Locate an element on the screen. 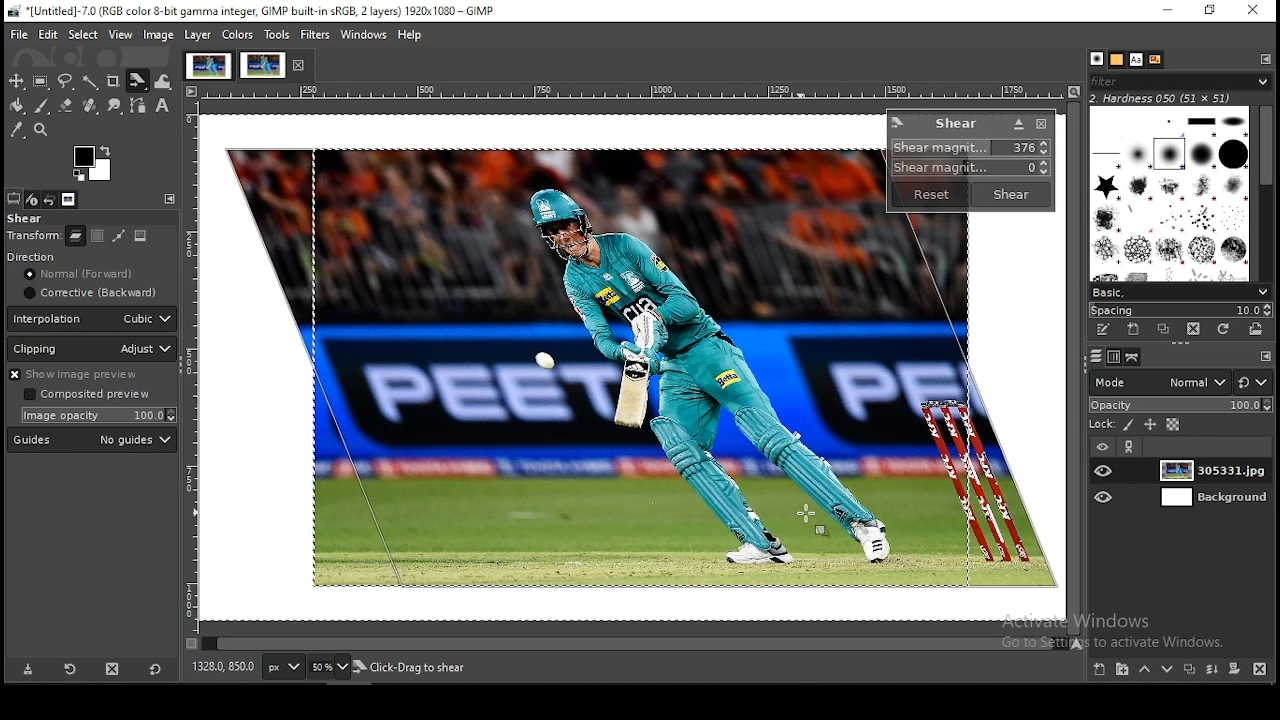 Image resolution: width=1280 pixels, height=720 pixels. selection is located at coordinates (96, 236).